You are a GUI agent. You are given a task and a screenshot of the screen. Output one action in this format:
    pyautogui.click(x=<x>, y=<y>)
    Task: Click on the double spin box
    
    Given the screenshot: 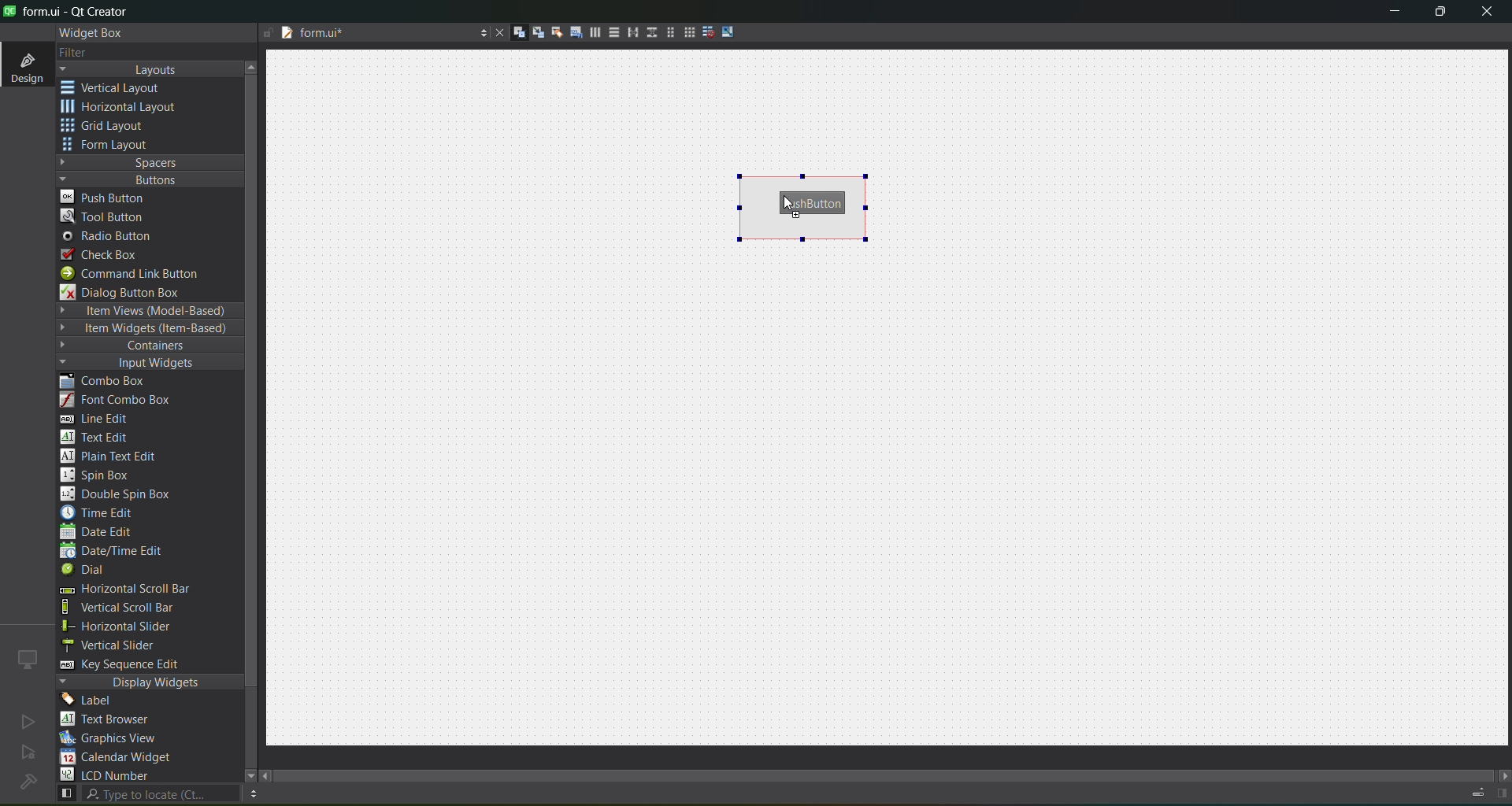 What is the action you would take?
    pyautogui.click(x=127, y=494)
    